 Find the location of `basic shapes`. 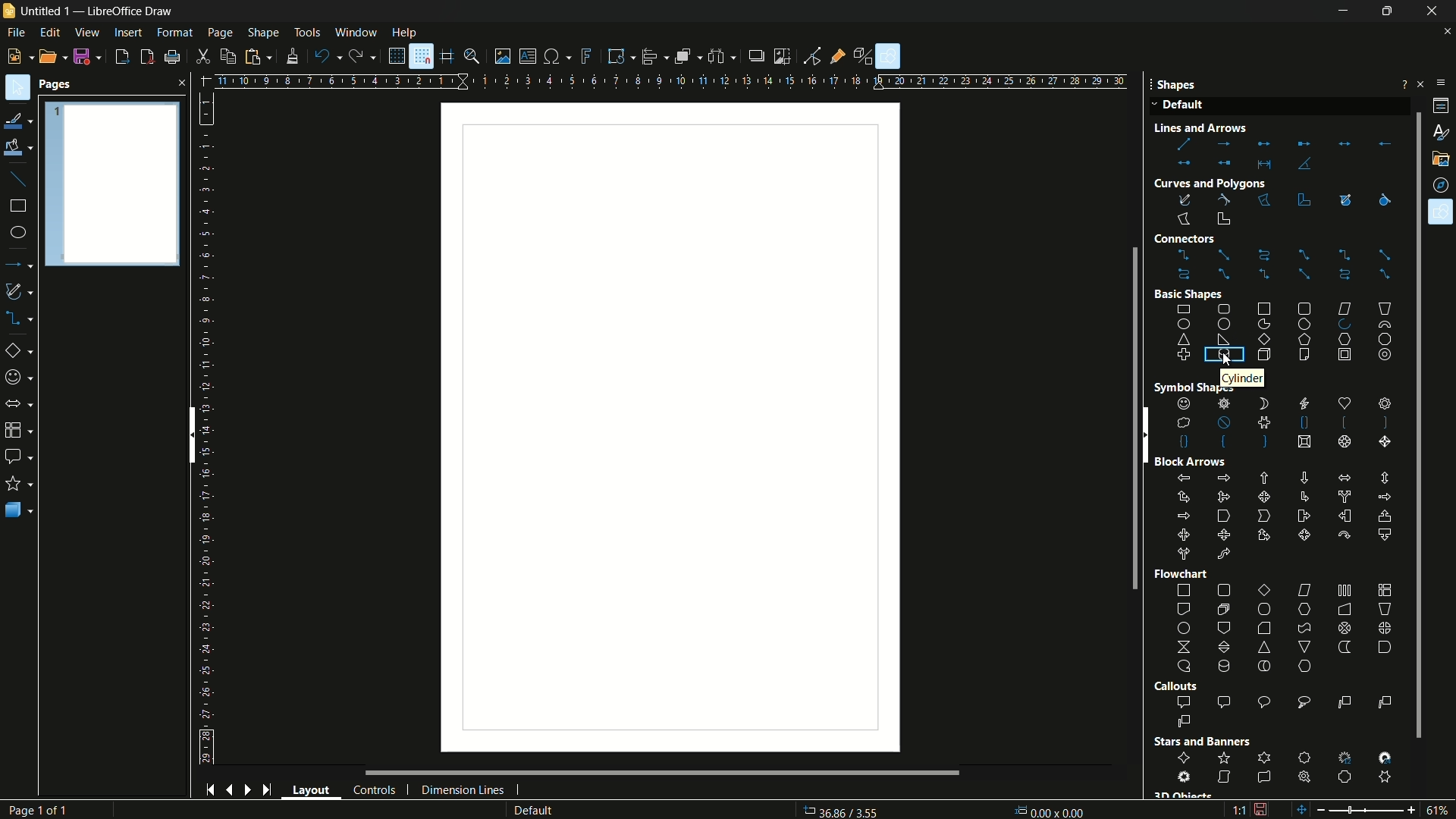

basic shapes is located at coordinates (1285, 331).